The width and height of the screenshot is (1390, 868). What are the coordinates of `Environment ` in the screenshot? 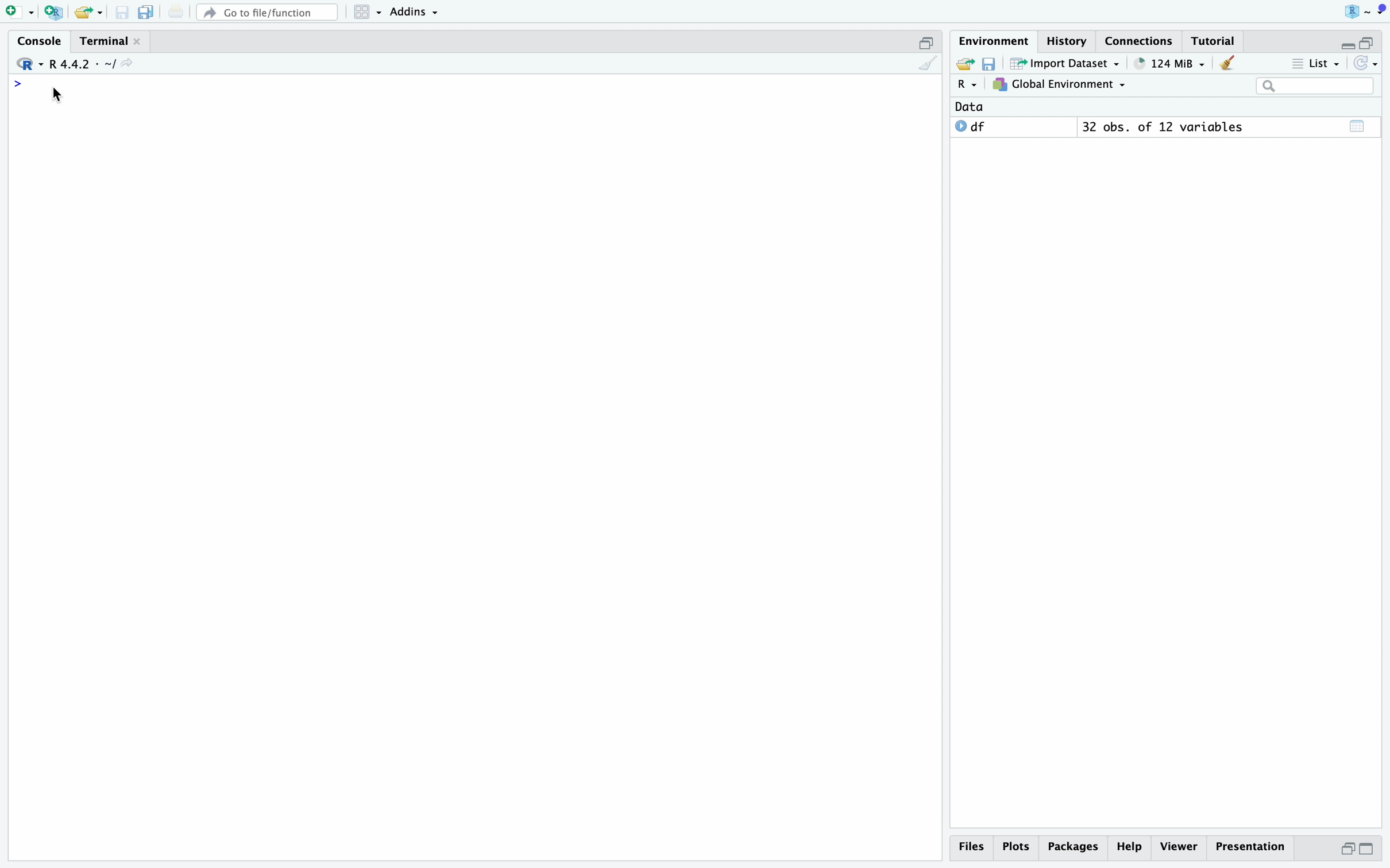 It's located at (995, 41).